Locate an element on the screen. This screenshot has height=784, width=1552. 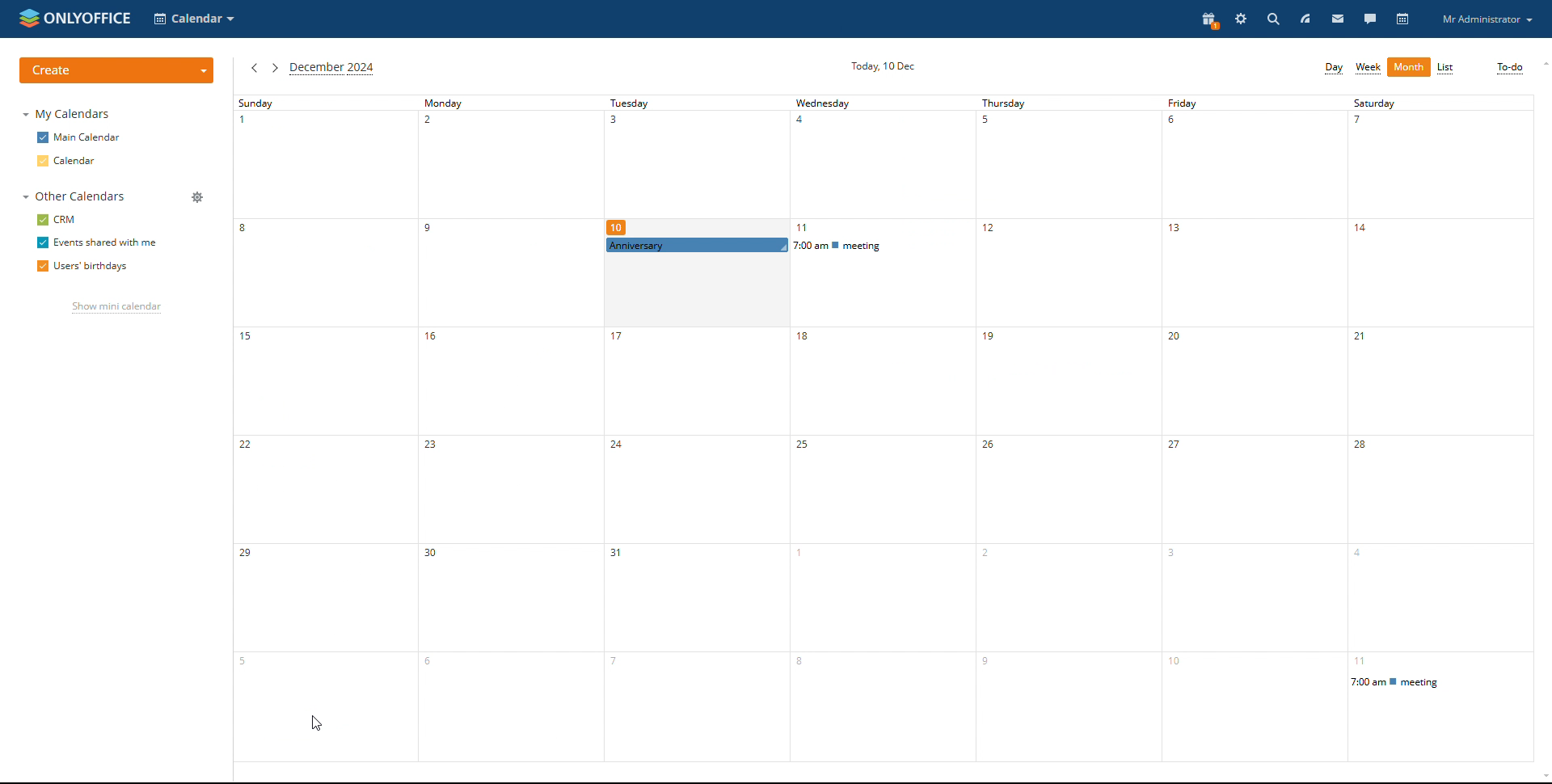
mail is located at coordinates (1338, 19).